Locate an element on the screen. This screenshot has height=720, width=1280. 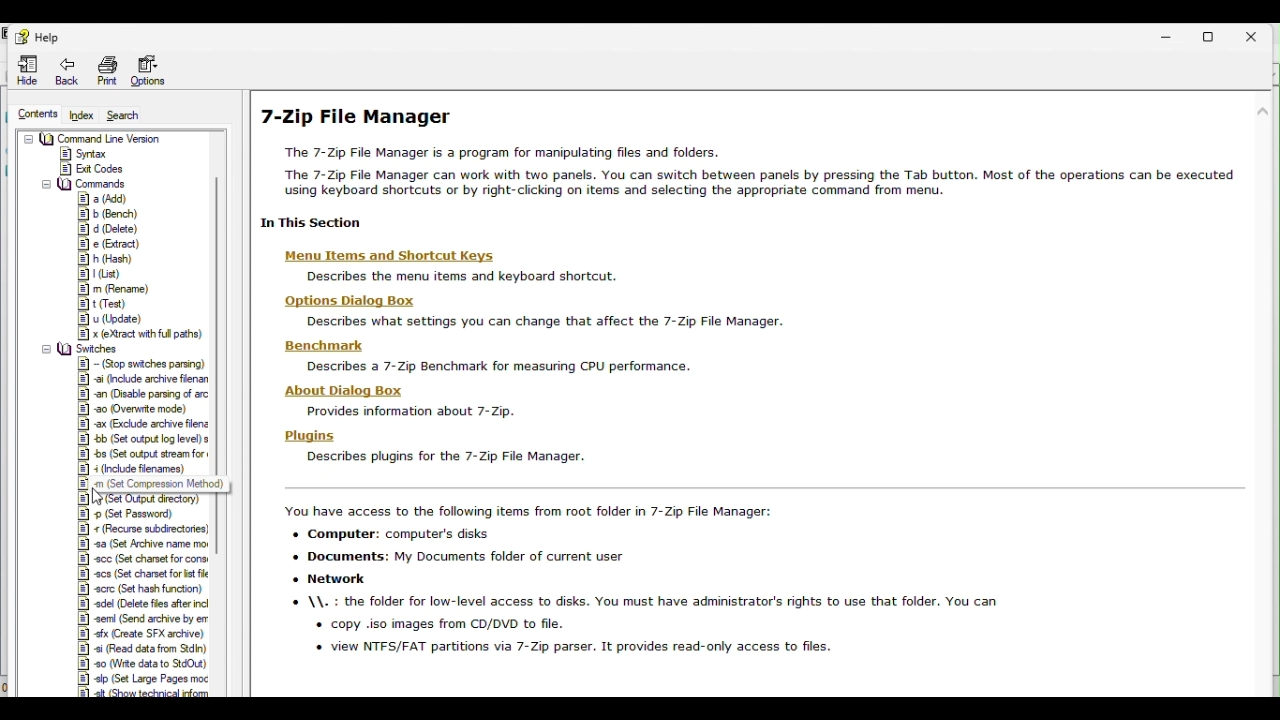
benchmark is located at coordinates (315, 347).